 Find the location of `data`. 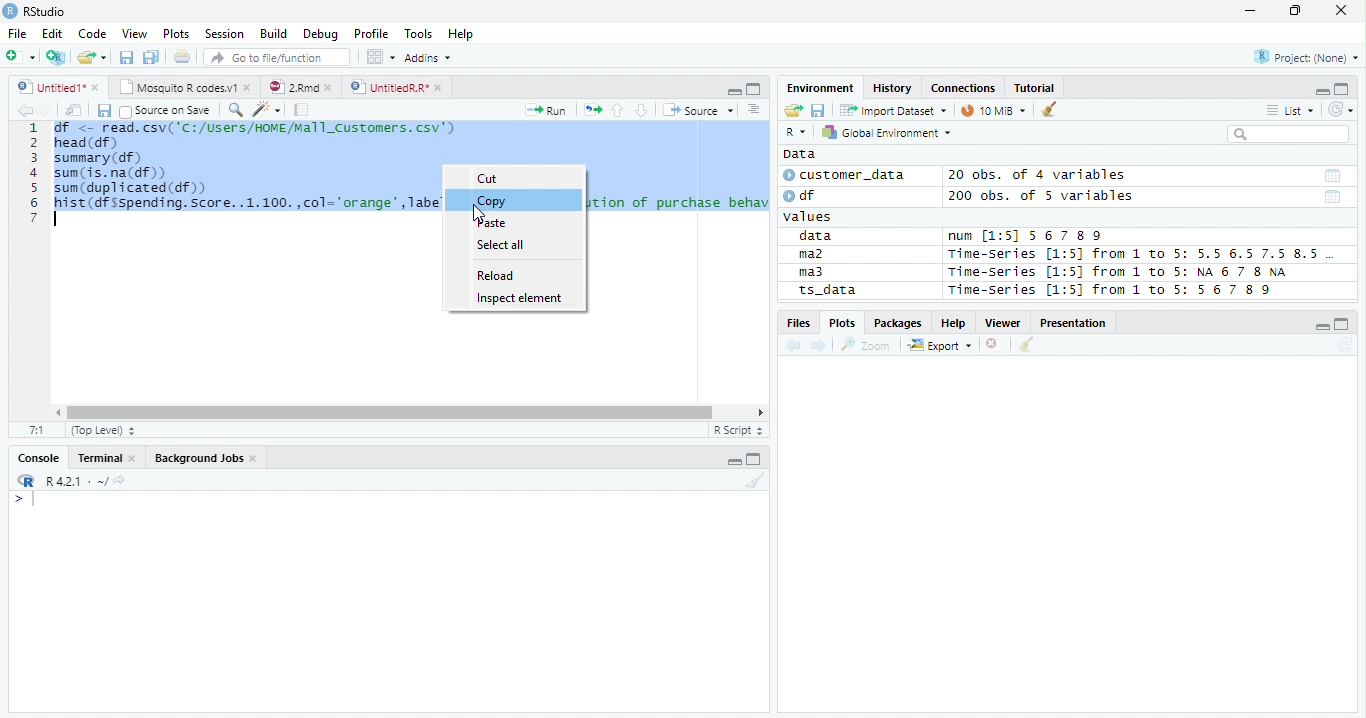

data is located at coordinates (819, 237).